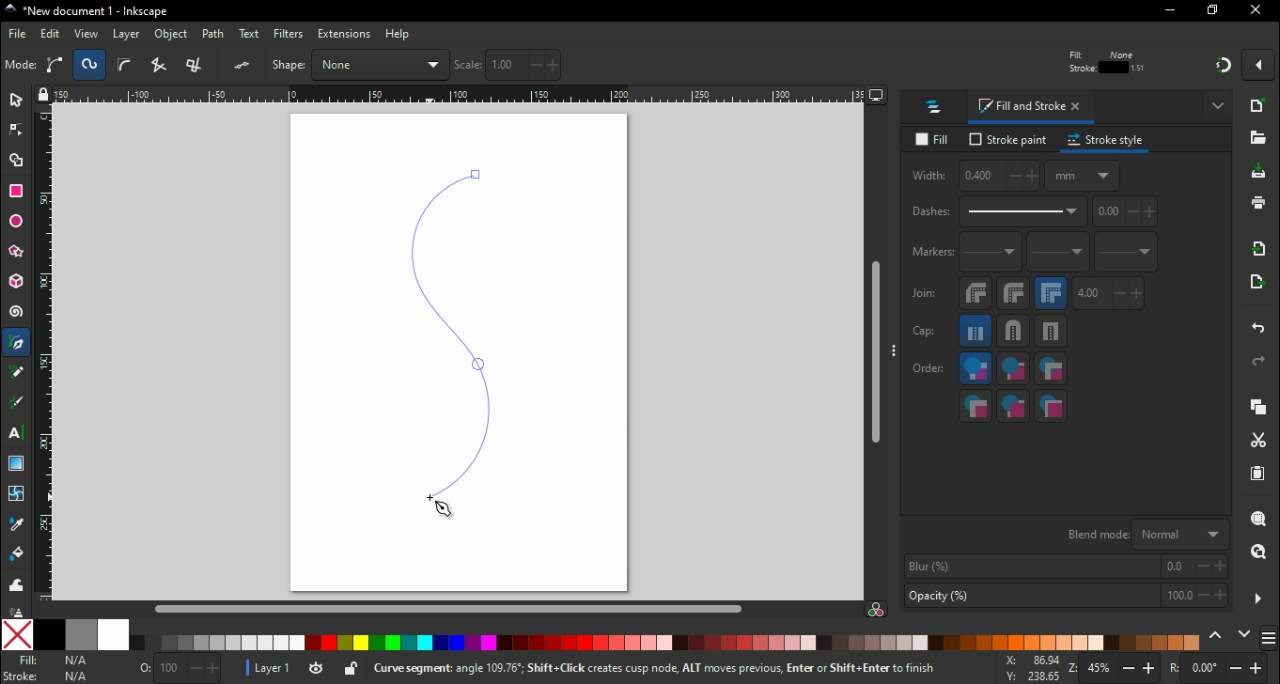  Describe the element at coordinates (1108, 143) in the screenshot. I see `stroke style` at that location.